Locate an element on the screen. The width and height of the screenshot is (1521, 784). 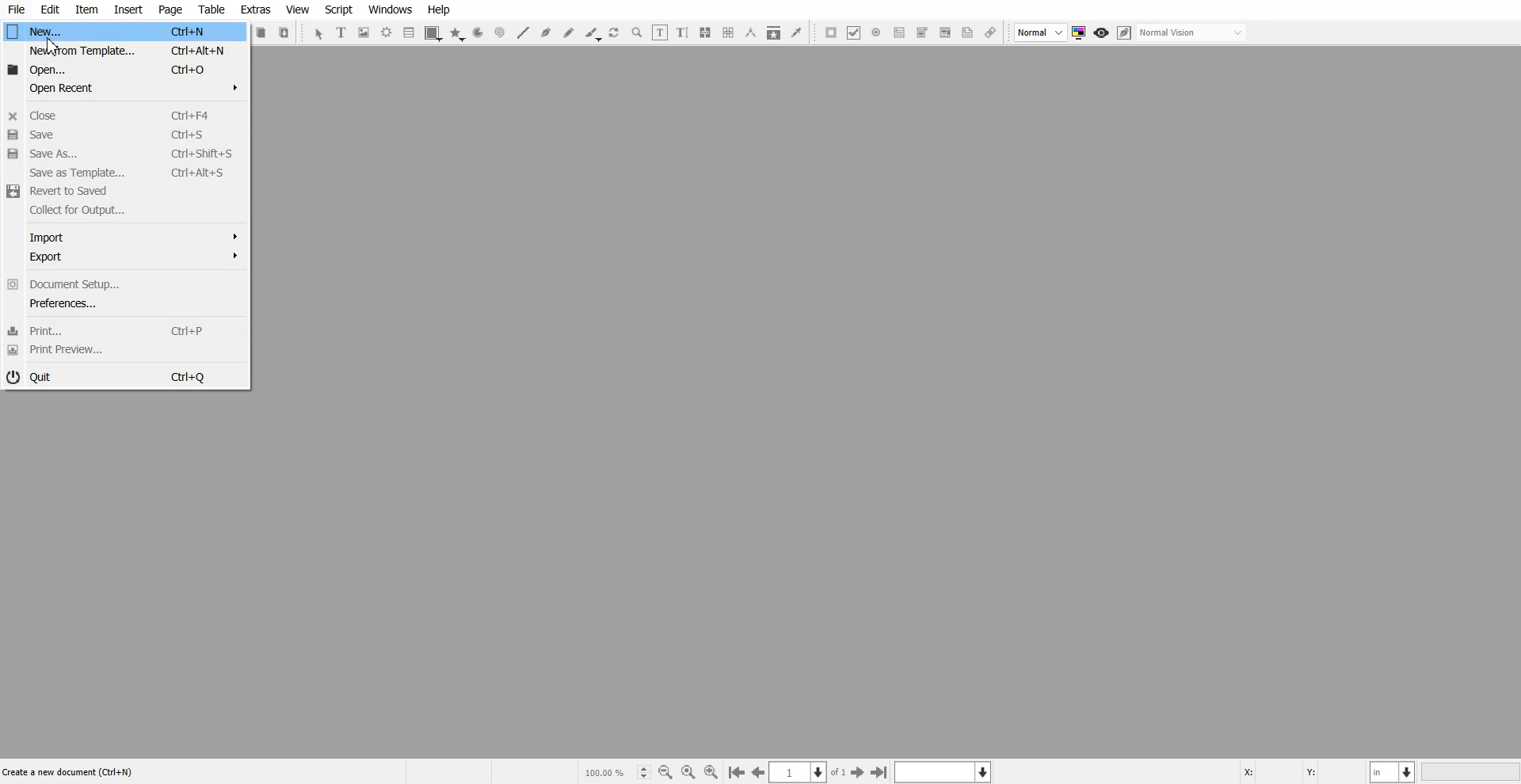
Eye Dropper is located at coordinates (796, 32).